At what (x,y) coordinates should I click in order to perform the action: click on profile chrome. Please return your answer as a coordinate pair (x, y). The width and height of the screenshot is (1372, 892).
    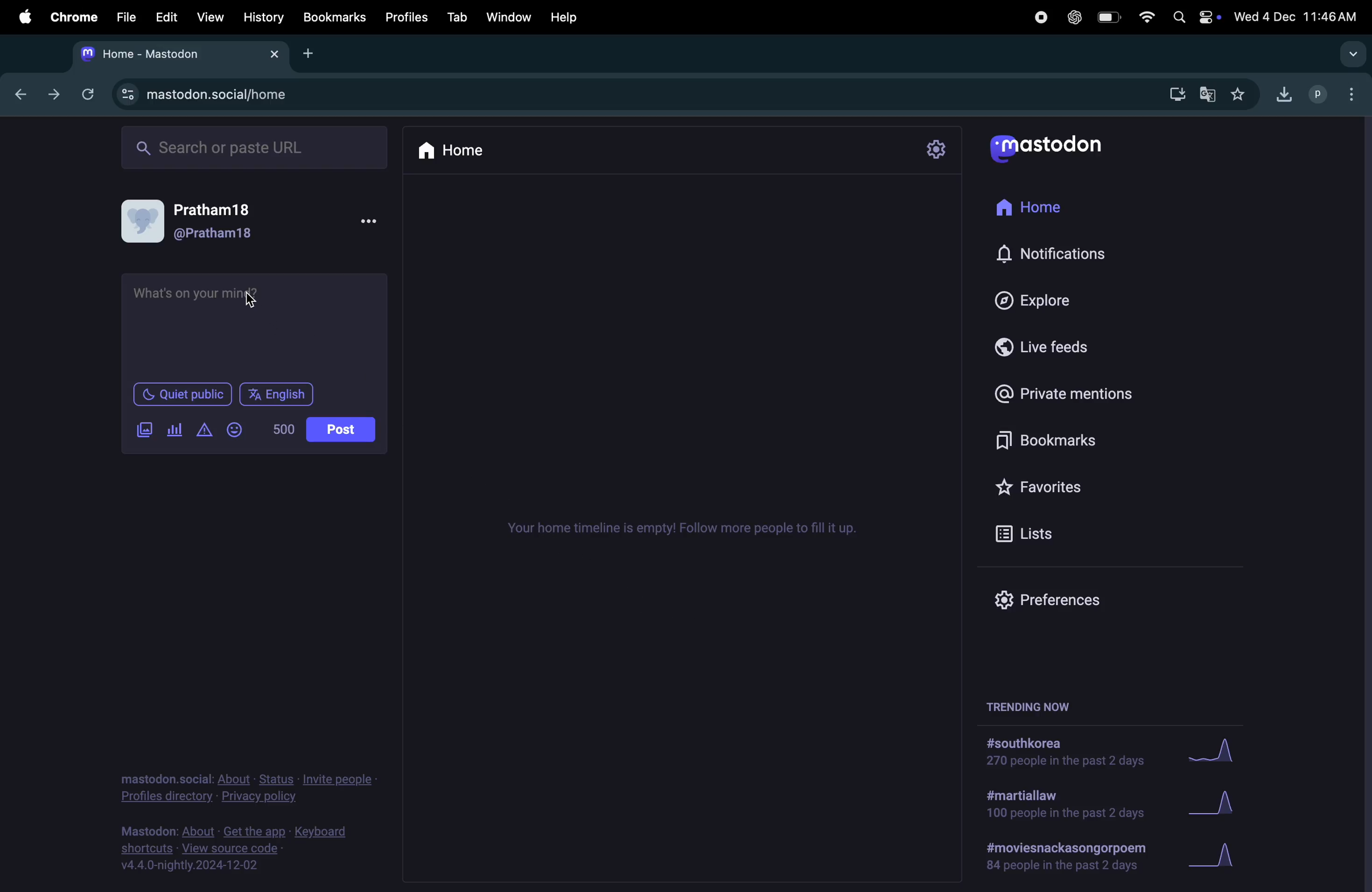
    Looking at the image, I should click on (1337, 93).